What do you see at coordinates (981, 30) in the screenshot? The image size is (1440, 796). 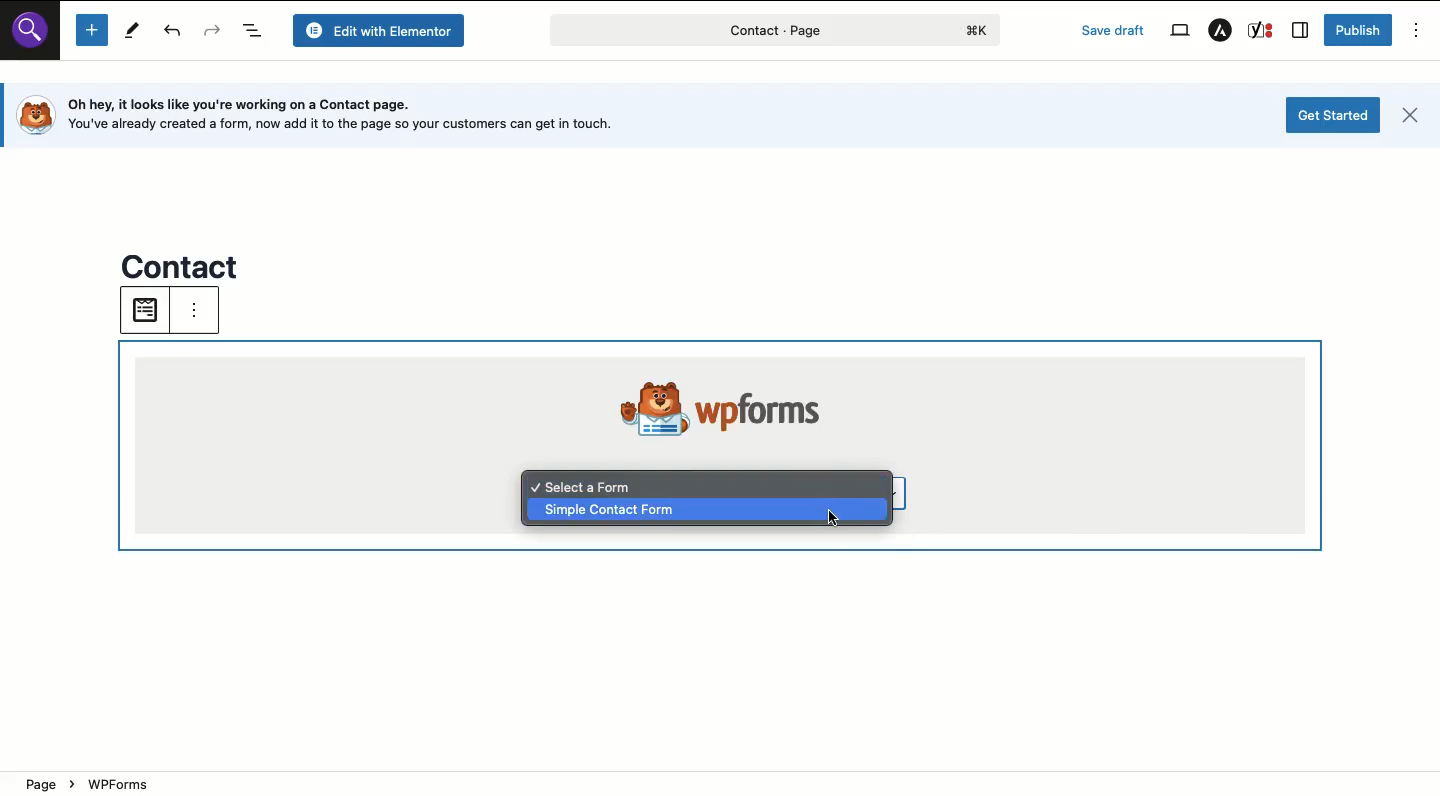 I see `logo` at bounding box center [981, 30].